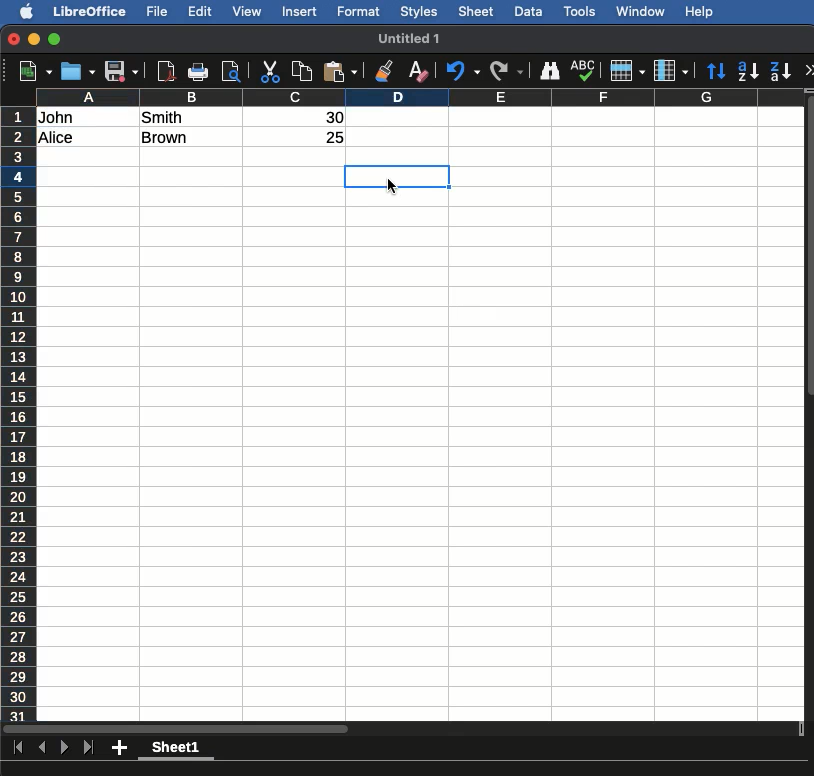  I want to click on Rows, so click(628, 69).